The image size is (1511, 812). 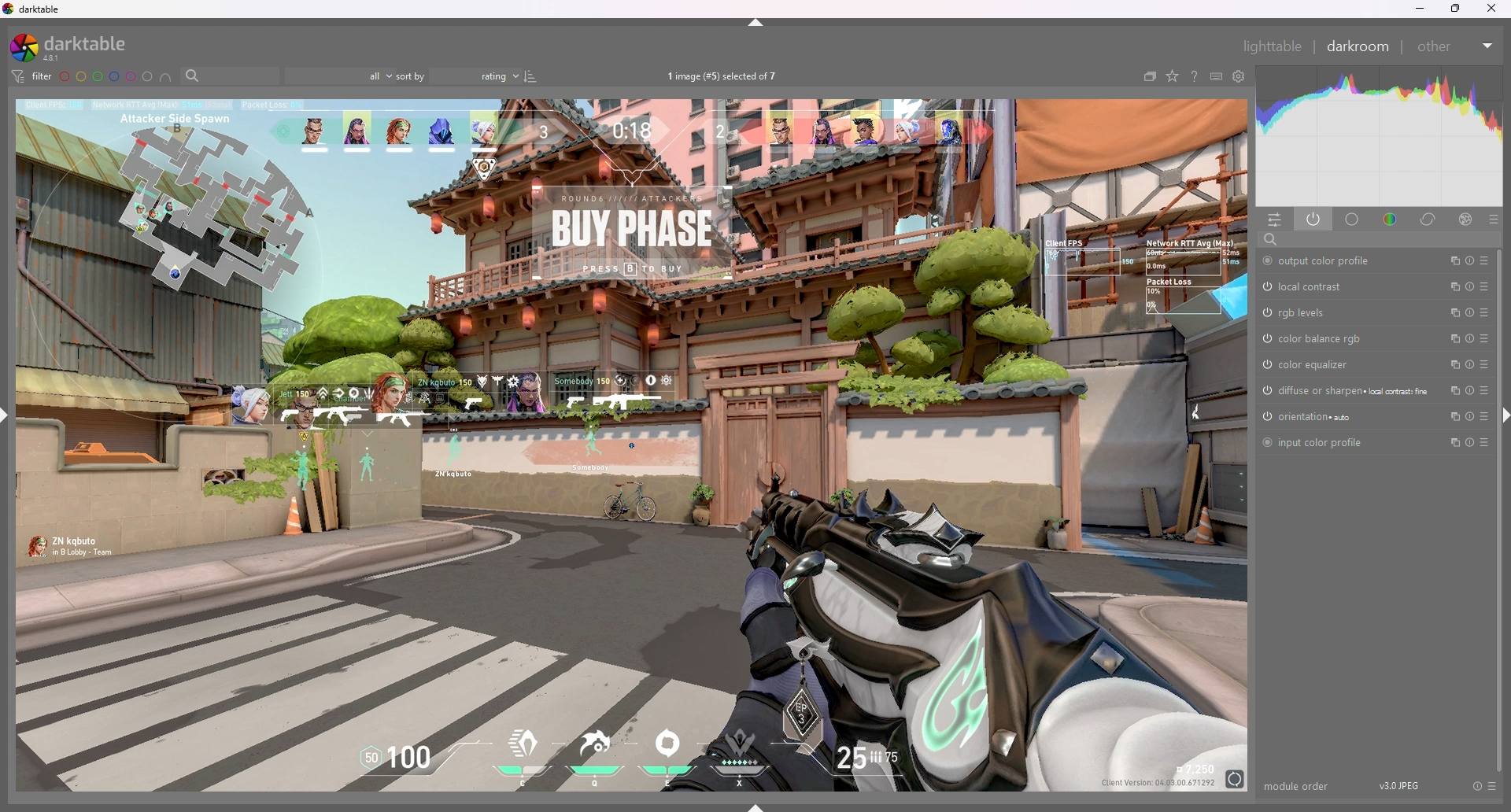 What do you see at coordinates (1494, 7) in the screenshot?
I see `close` at bounding box center [1494, 7].